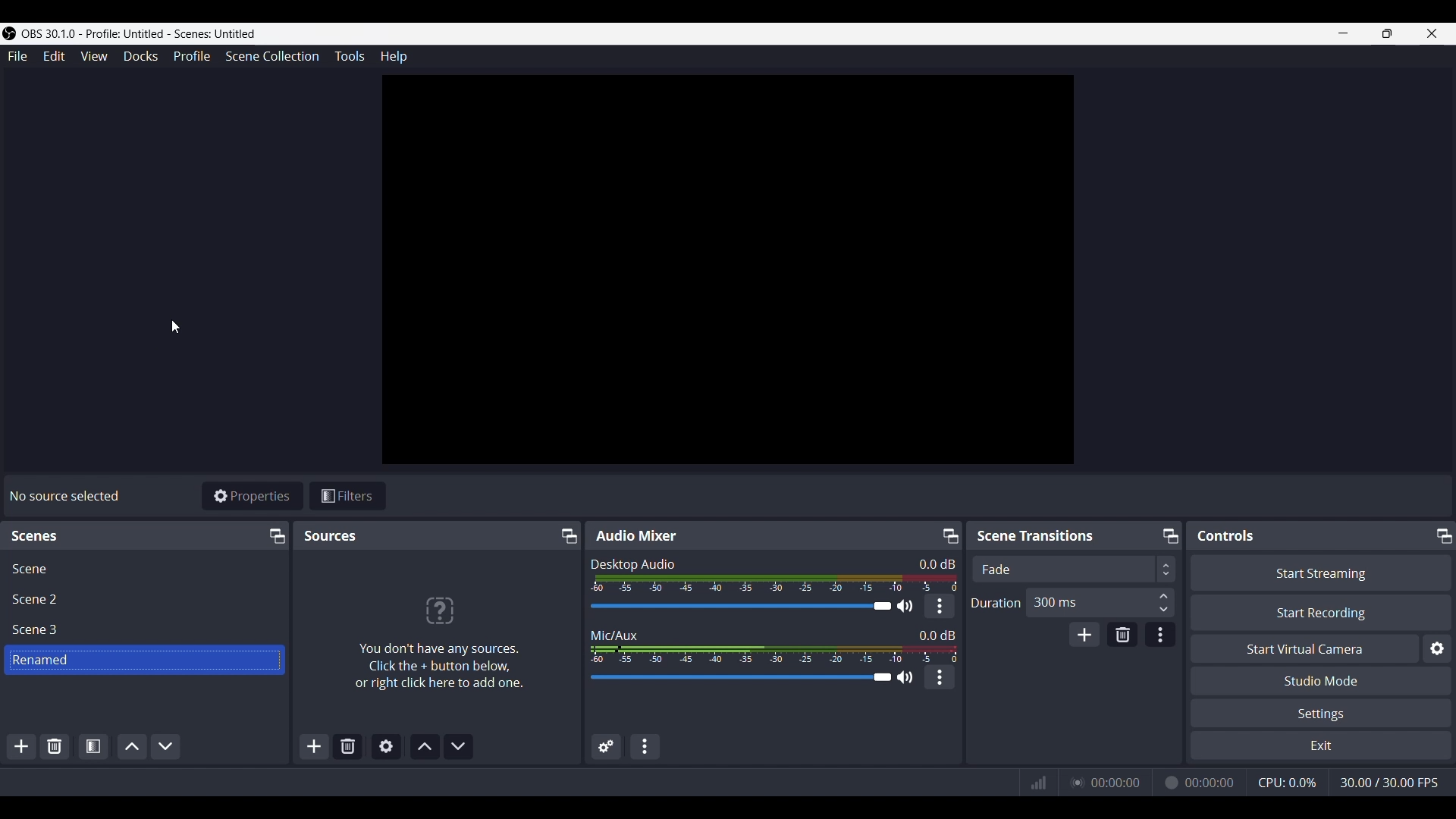  What do you see at coordinates (384, 745) in the screenshot?
I see `Open source properties` at bounding box center [384, 745].